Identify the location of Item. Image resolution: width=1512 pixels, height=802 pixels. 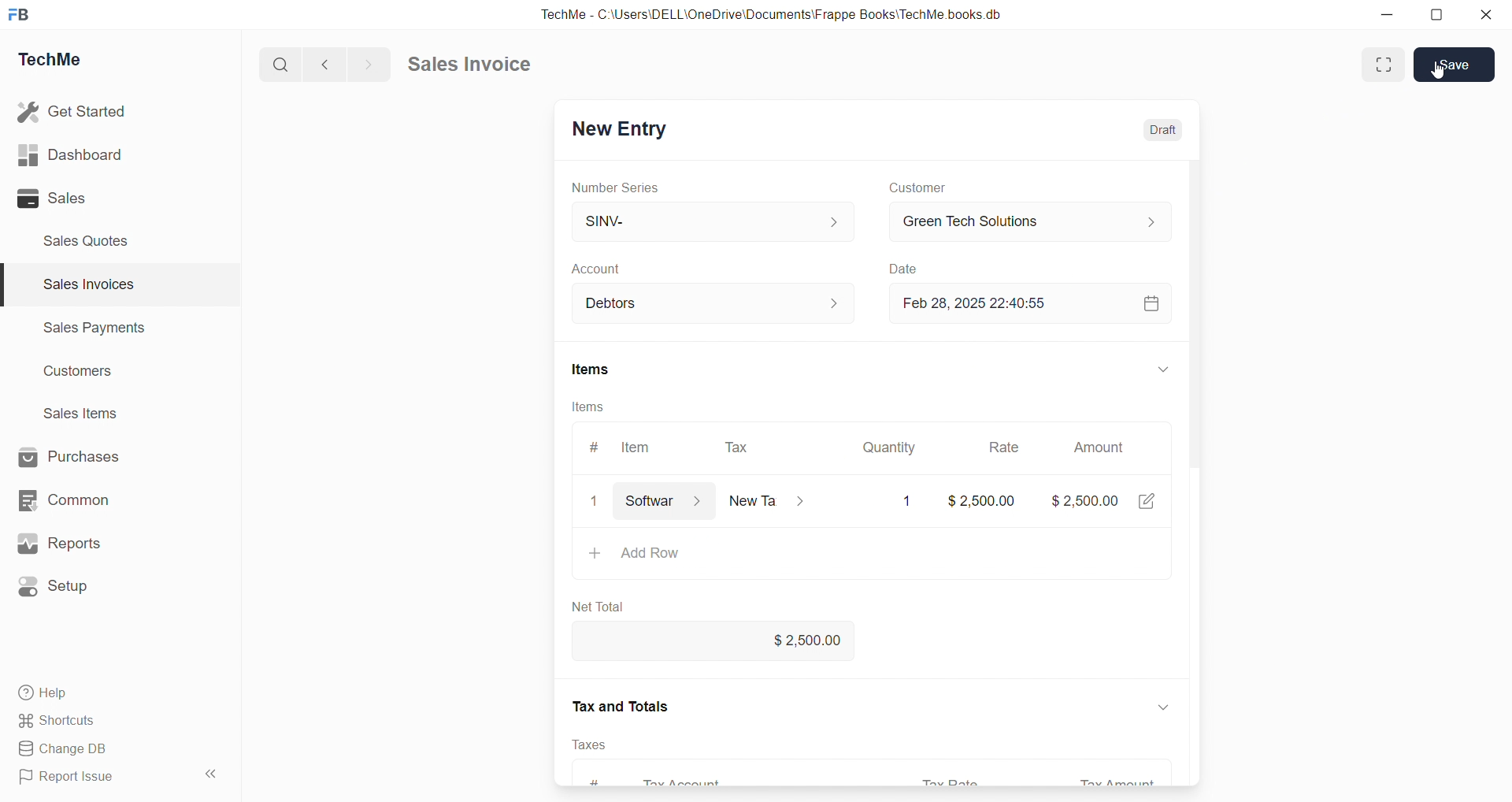
(637, 447).